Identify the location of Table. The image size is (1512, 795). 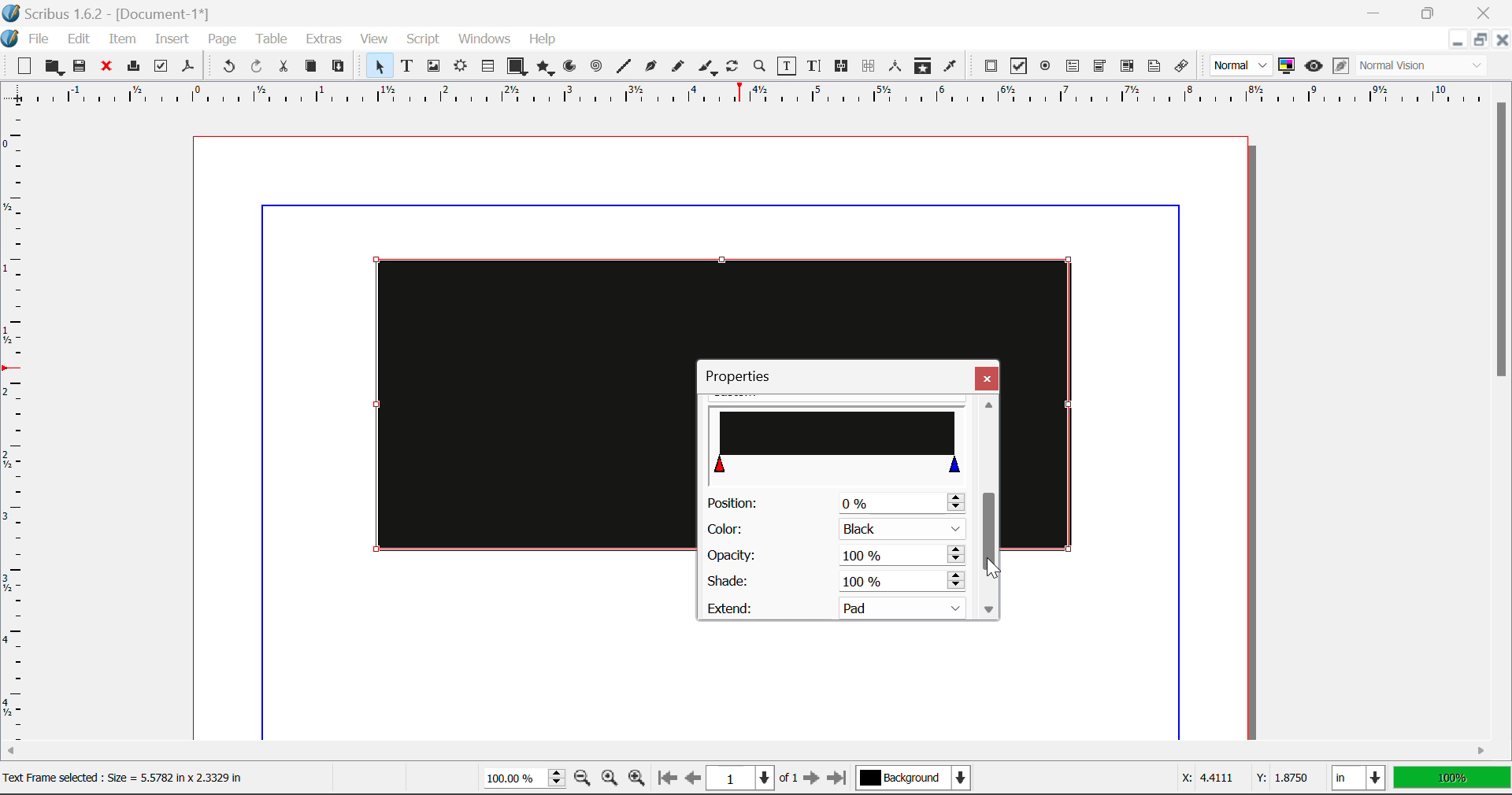
(270, 40).